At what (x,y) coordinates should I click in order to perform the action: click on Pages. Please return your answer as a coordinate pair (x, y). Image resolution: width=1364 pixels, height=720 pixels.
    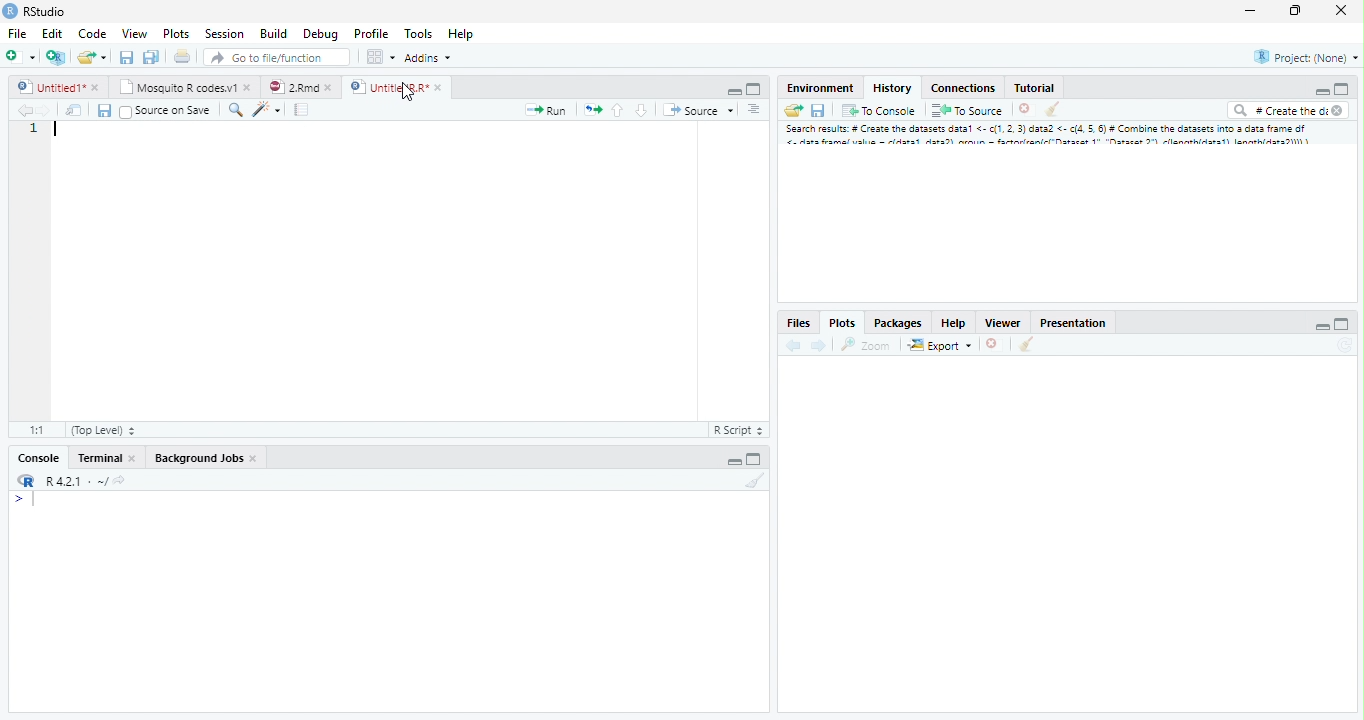
    Looking at the image, I should click on (300, 111).